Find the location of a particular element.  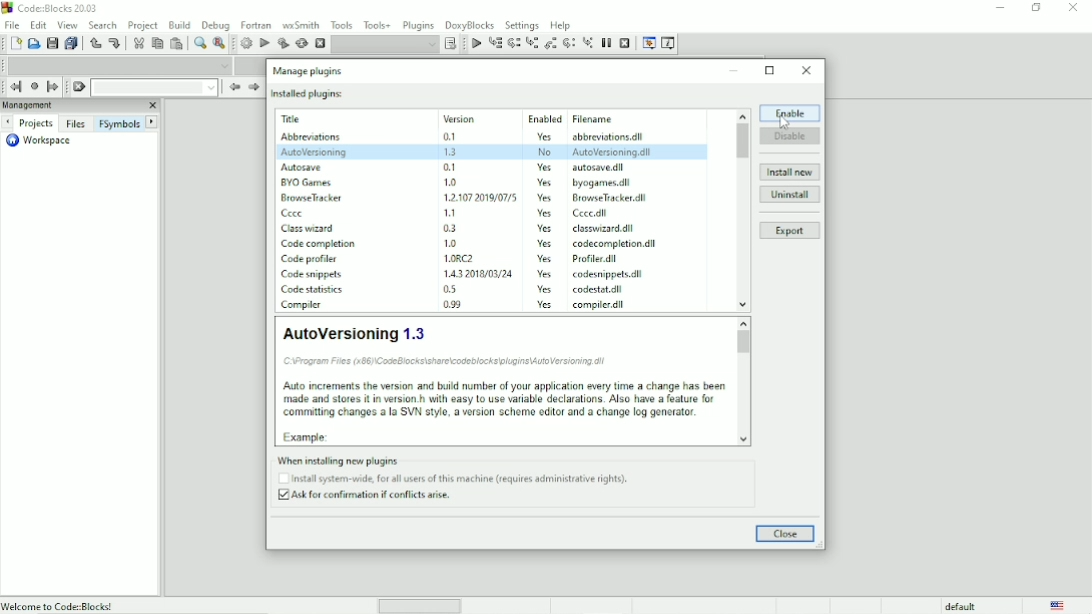

Settings is located at coordinates (521, 25).